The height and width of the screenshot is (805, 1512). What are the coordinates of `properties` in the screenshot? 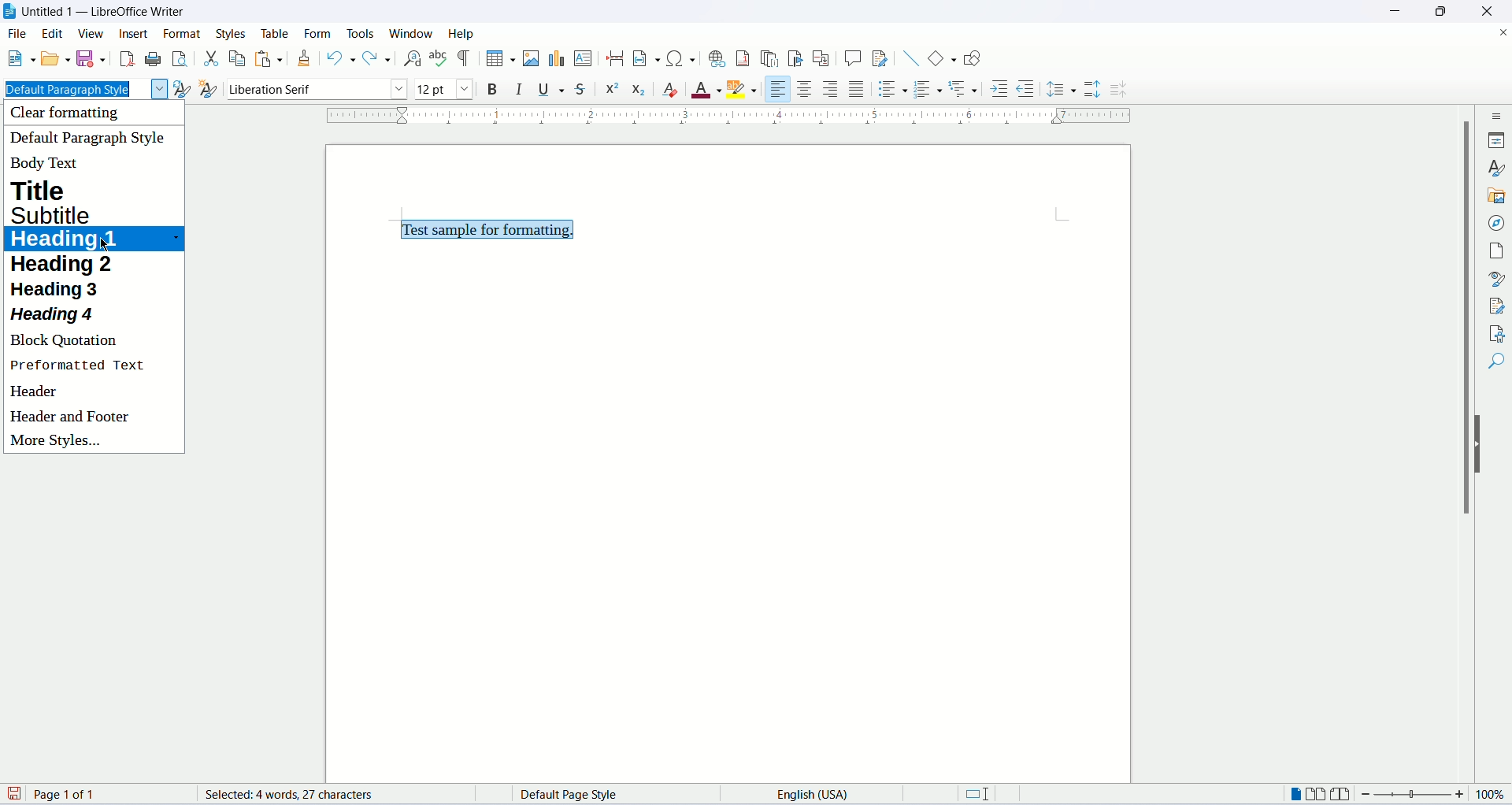 It's located at (1499, 139).